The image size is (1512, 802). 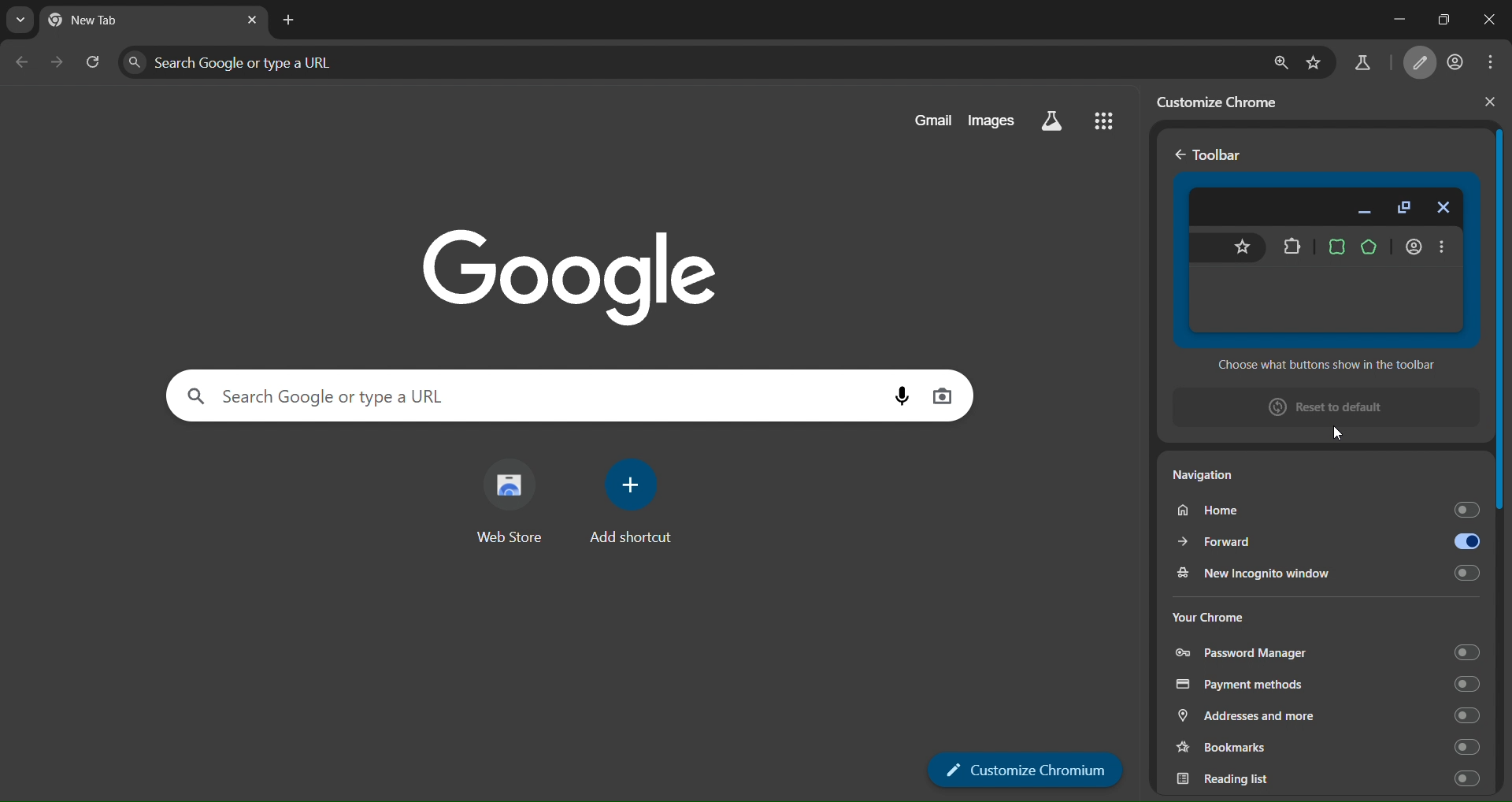 I want to click on your chrome, so click(x=1268, y=614).